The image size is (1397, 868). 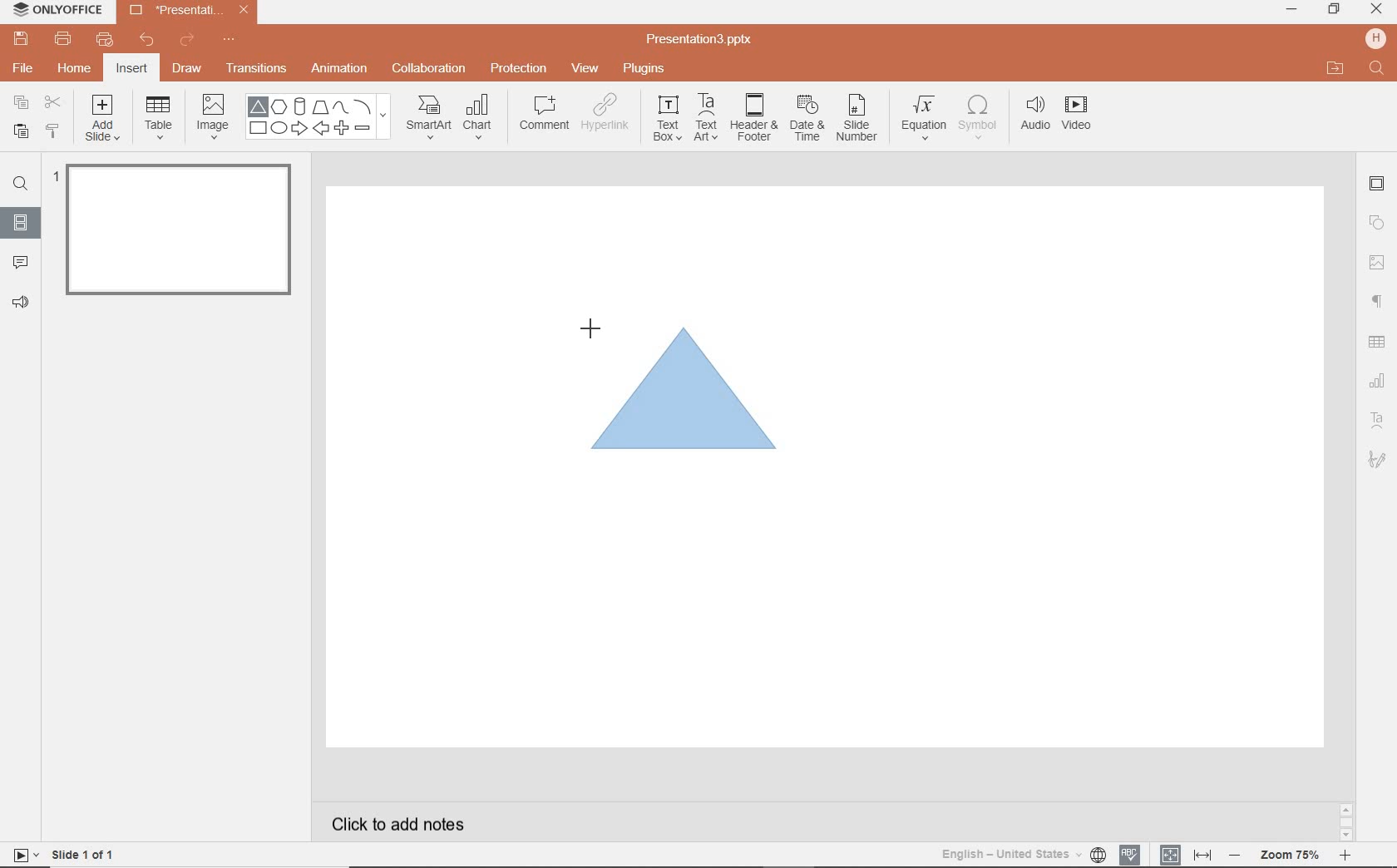 What do you see at coordinates (23, 302) in the screenshot?
I see `FEEDBACK & SUPPORT` at bounding box center [23, 302].